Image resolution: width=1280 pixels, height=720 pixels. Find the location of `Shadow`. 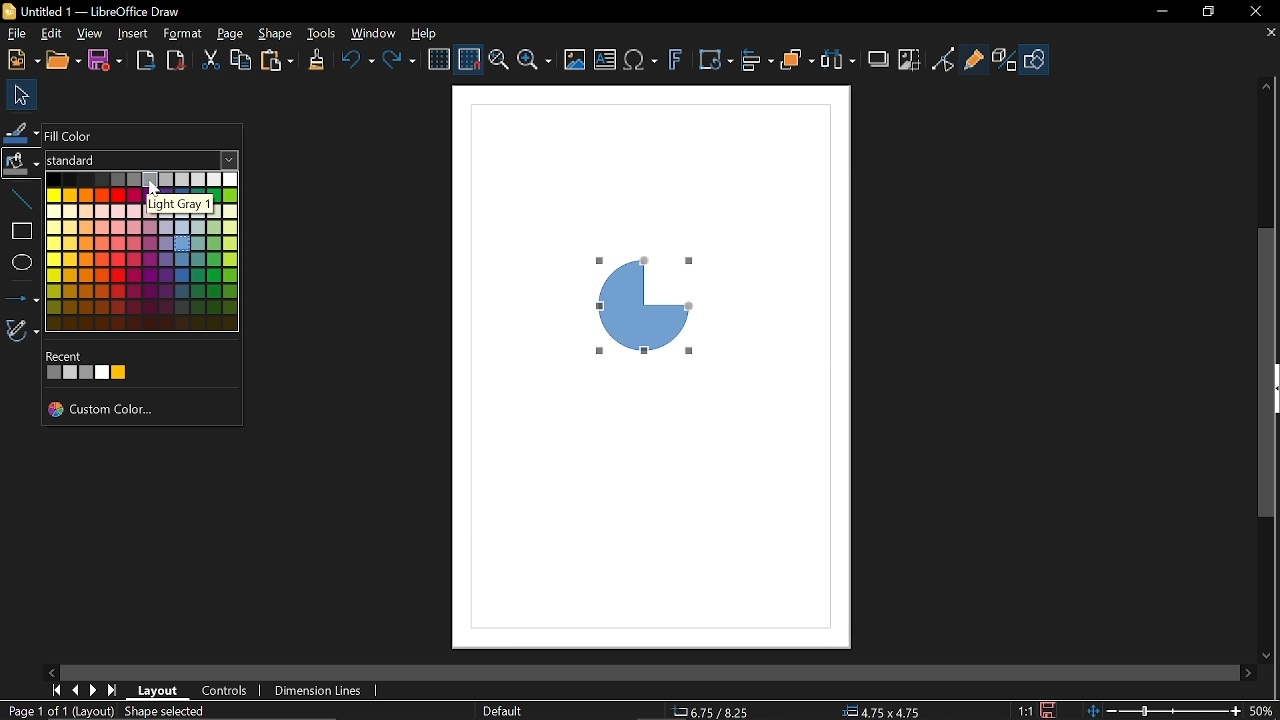

Shadow is located at coordinates (879, 63).